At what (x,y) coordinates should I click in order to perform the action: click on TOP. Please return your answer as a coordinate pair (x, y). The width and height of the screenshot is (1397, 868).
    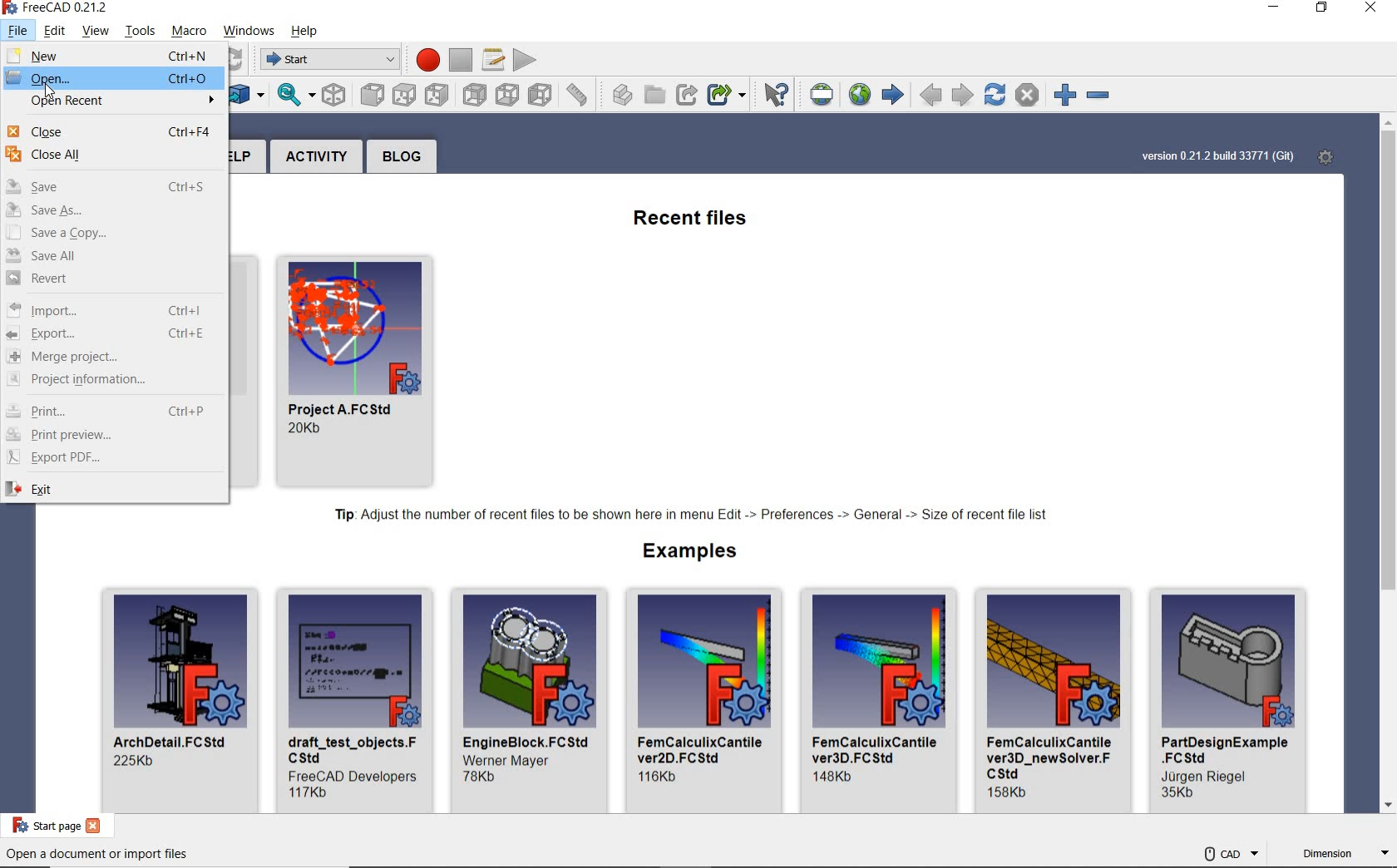
    Looking at the image, I should click on (406, 95).